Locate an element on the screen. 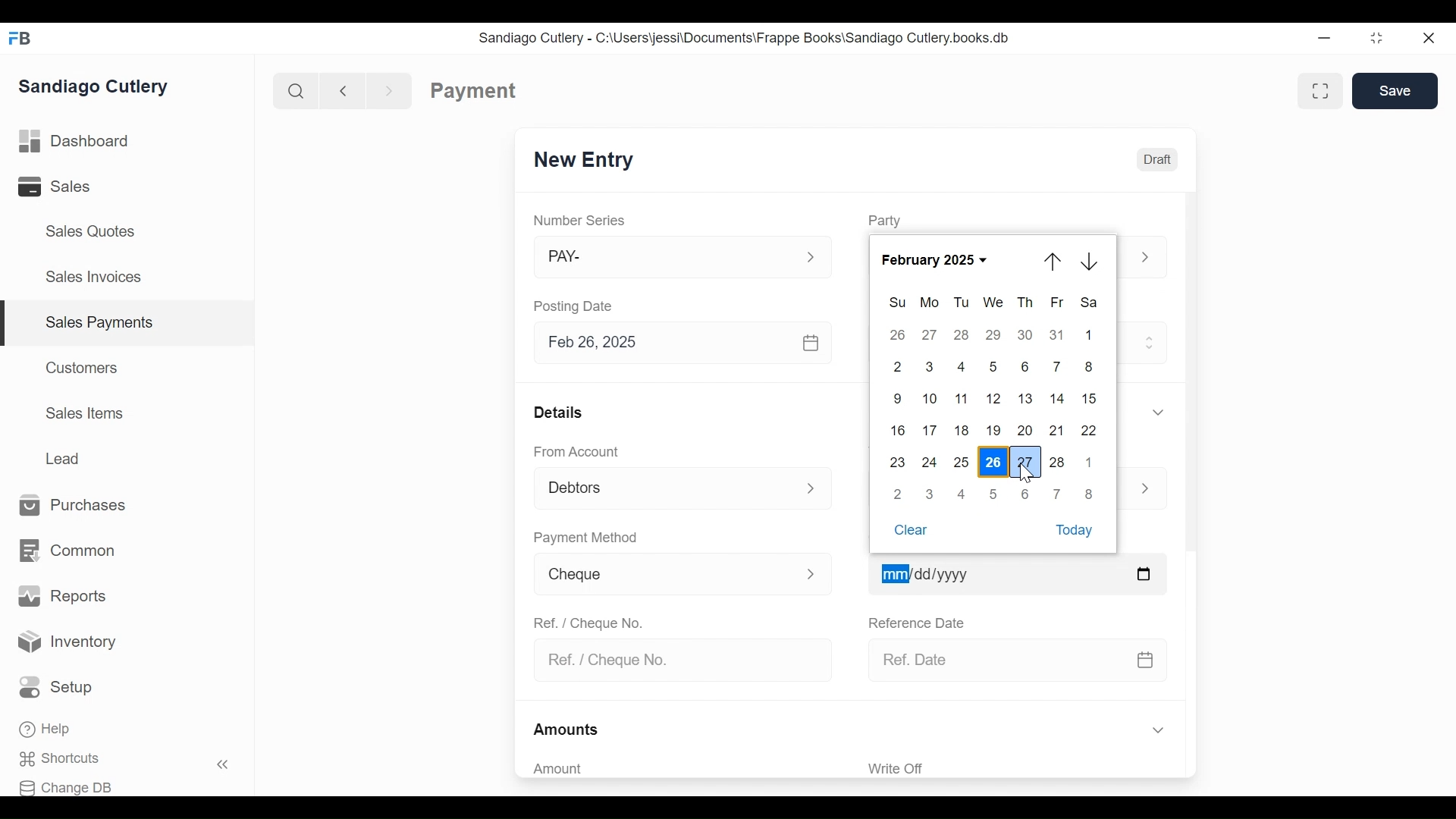 This screenshot has width=1456, height=819. Expand is located at coordinates (1157, 731).